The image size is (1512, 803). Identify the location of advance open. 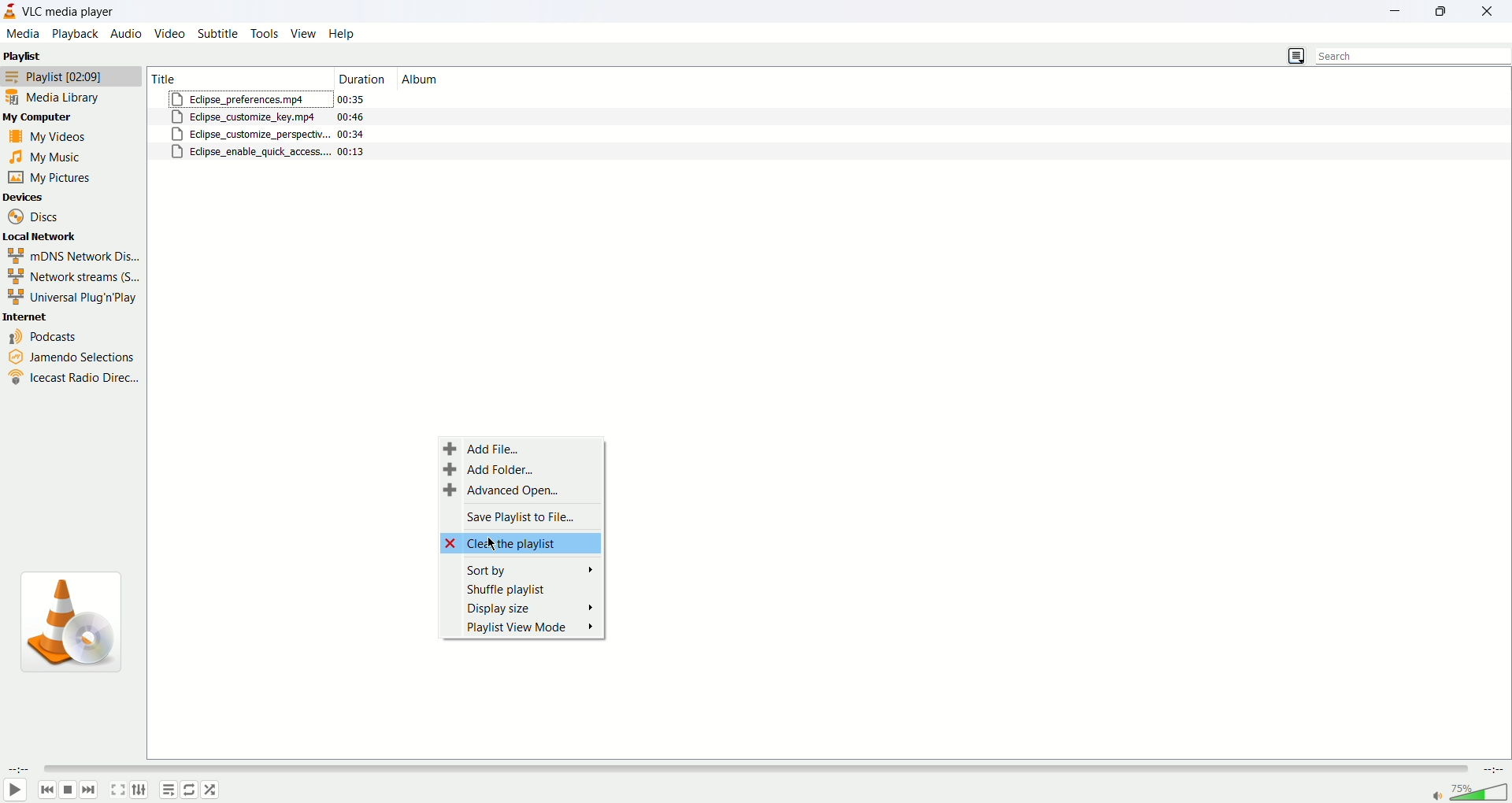
(501, 492).